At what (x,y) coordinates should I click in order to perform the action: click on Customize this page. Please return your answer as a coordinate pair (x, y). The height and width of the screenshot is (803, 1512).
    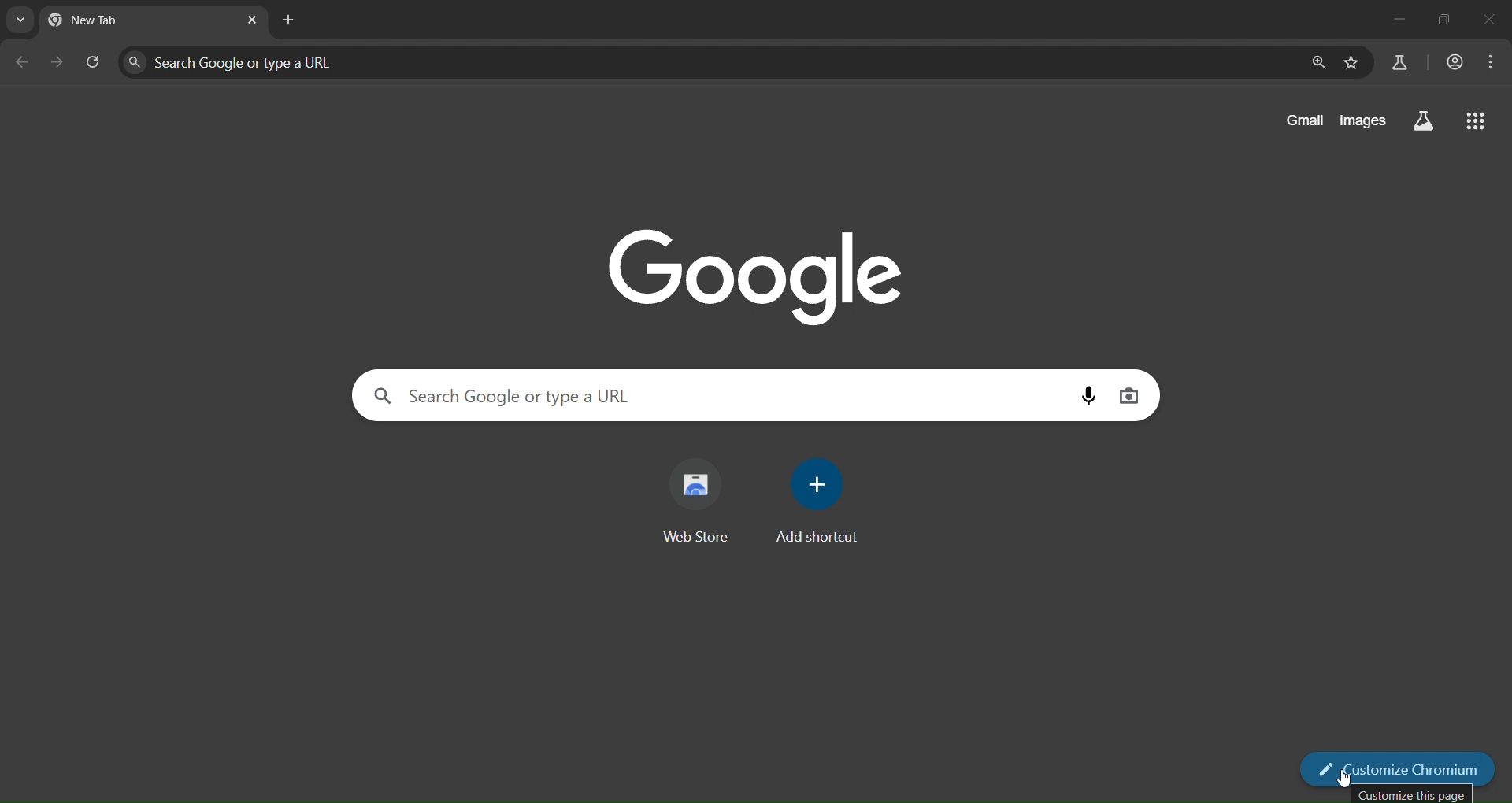
    Looking at the image, I should click on (1415, 795).